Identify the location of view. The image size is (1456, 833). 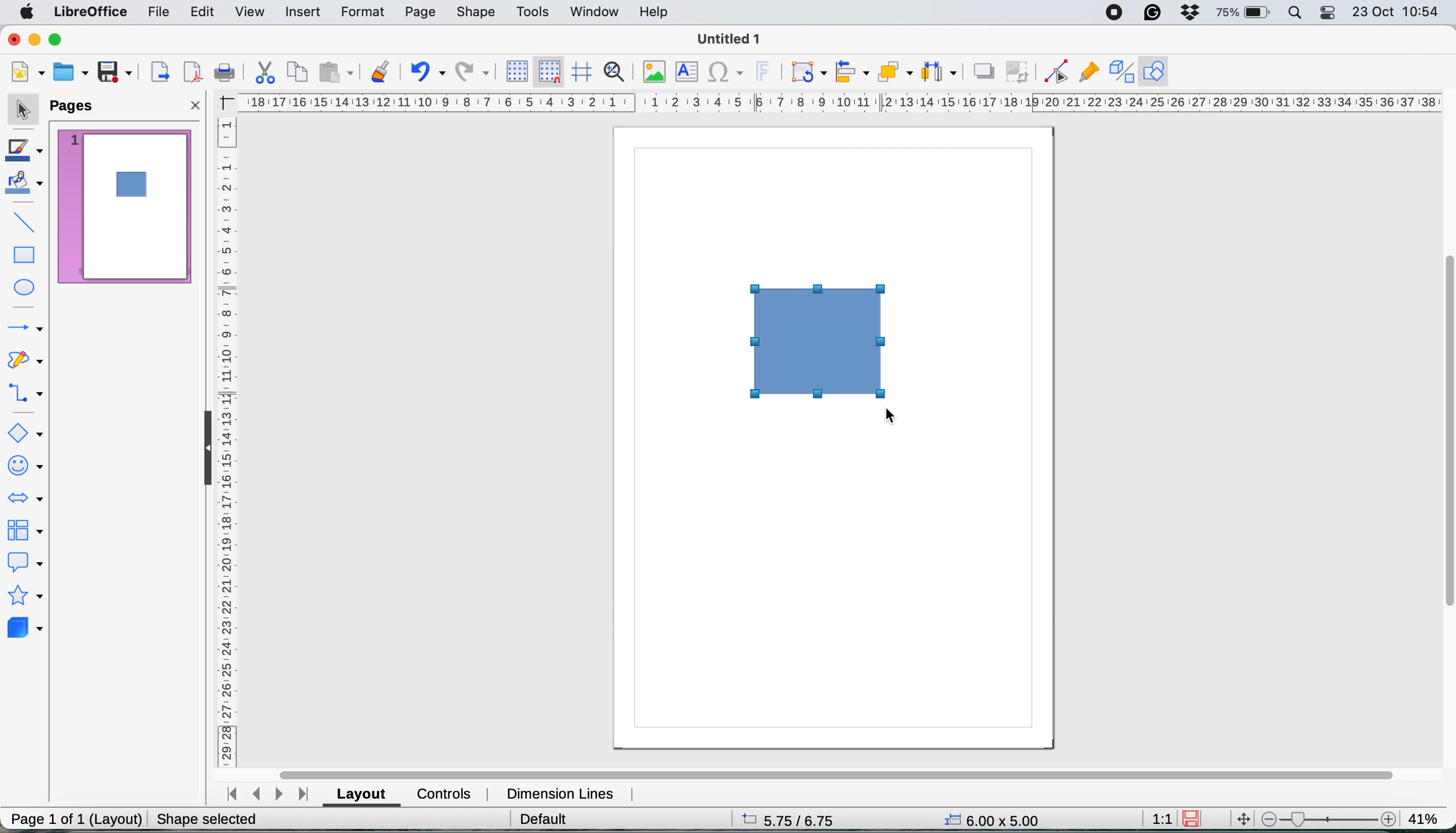
(252, 13).